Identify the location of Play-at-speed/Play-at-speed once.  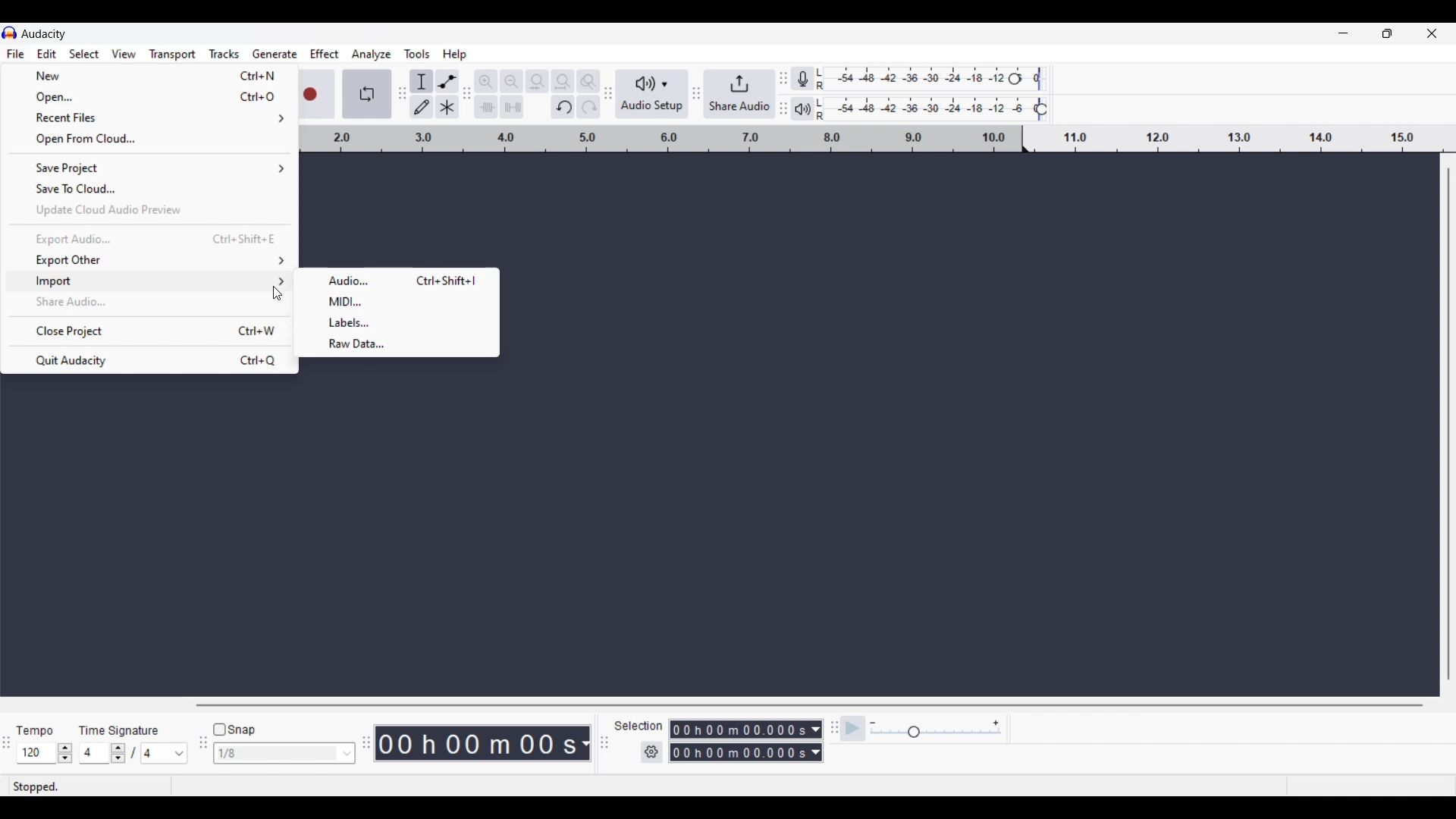
(854, 729).